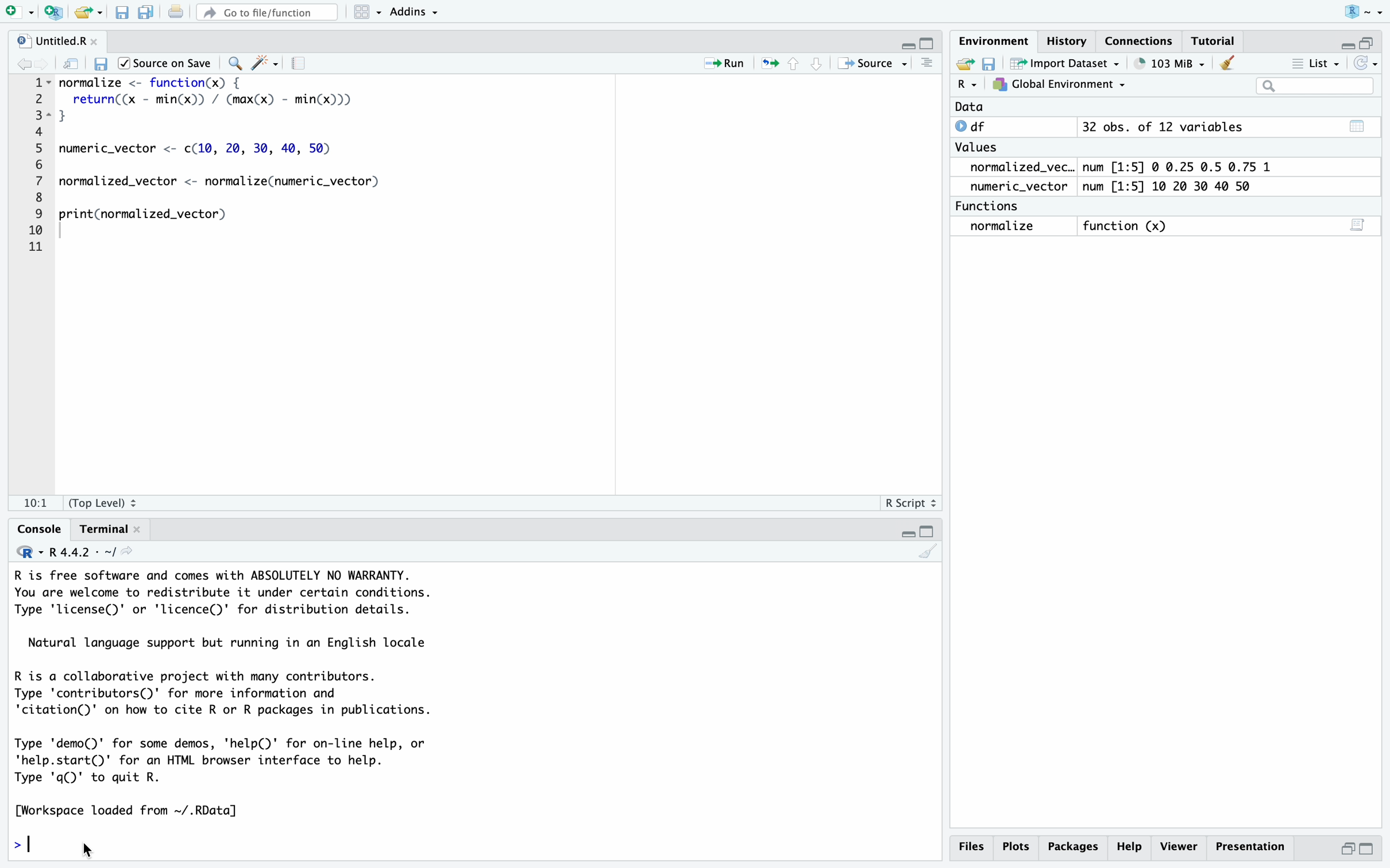 The height and width of the screenshot is (868, 1390). Describe the element at coordinates (798, 64) in the screenshot. I see `Go to previous section/chunk (Ctrl + PgUp)` at that location.